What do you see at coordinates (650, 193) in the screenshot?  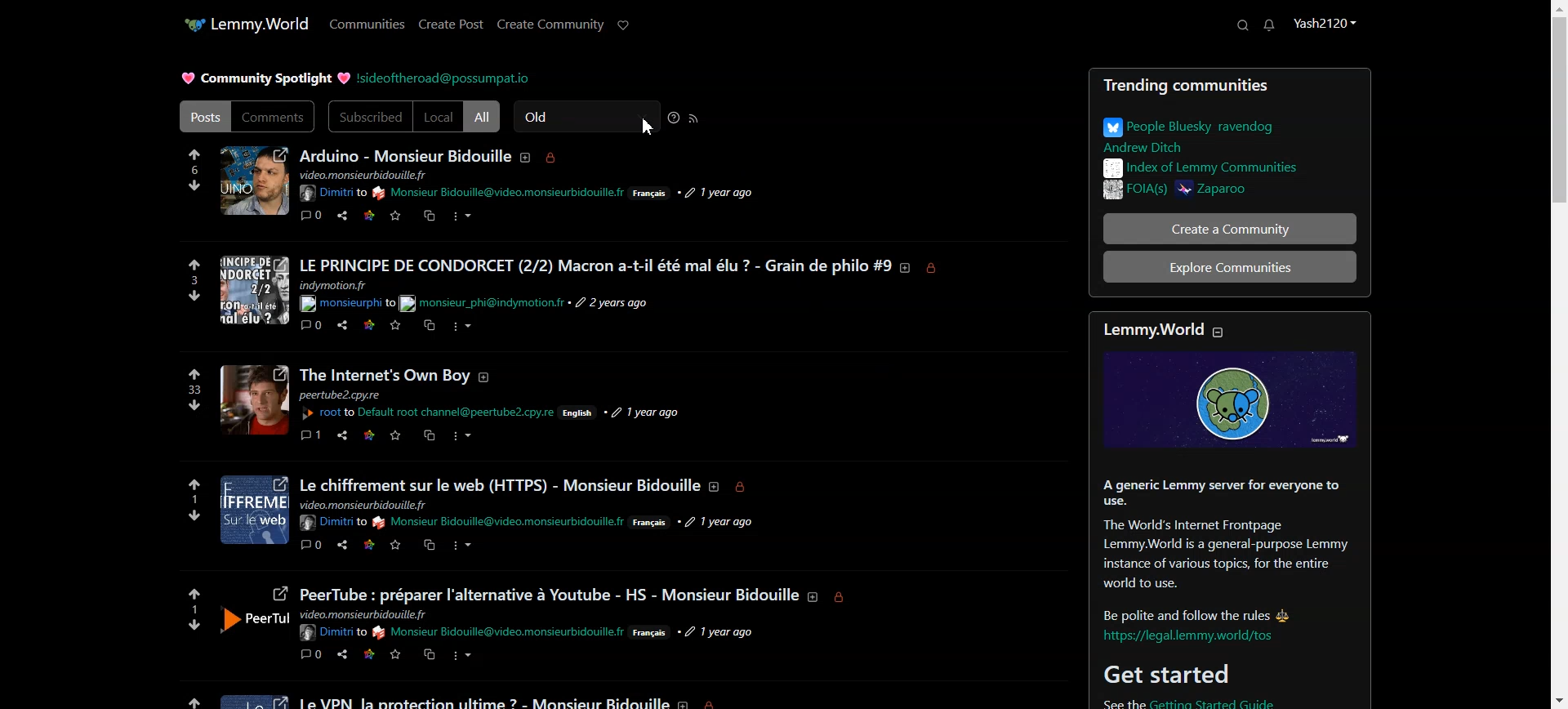 I see `Francais` at bounding box center [650, 193].